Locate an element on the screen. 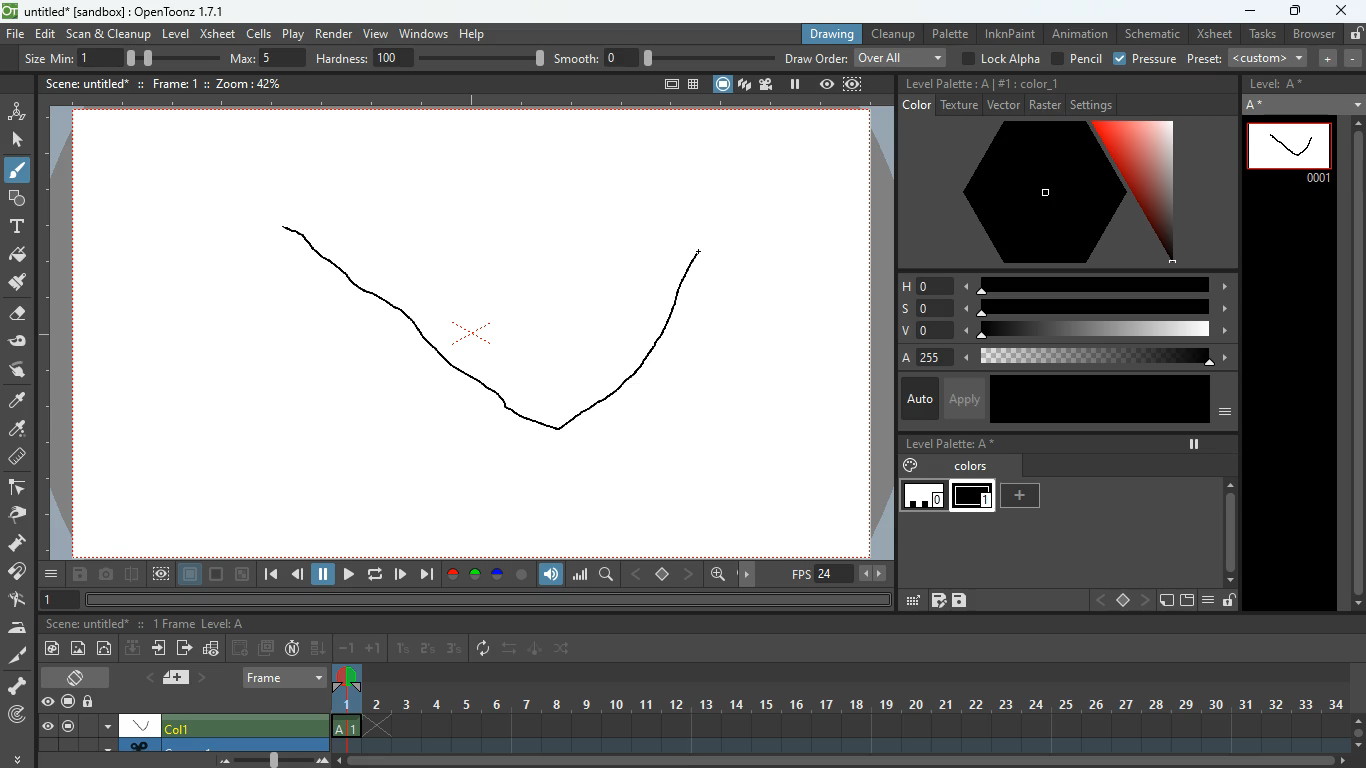 The image size is (1366, 768). camera is located at coordinates (108, 575).